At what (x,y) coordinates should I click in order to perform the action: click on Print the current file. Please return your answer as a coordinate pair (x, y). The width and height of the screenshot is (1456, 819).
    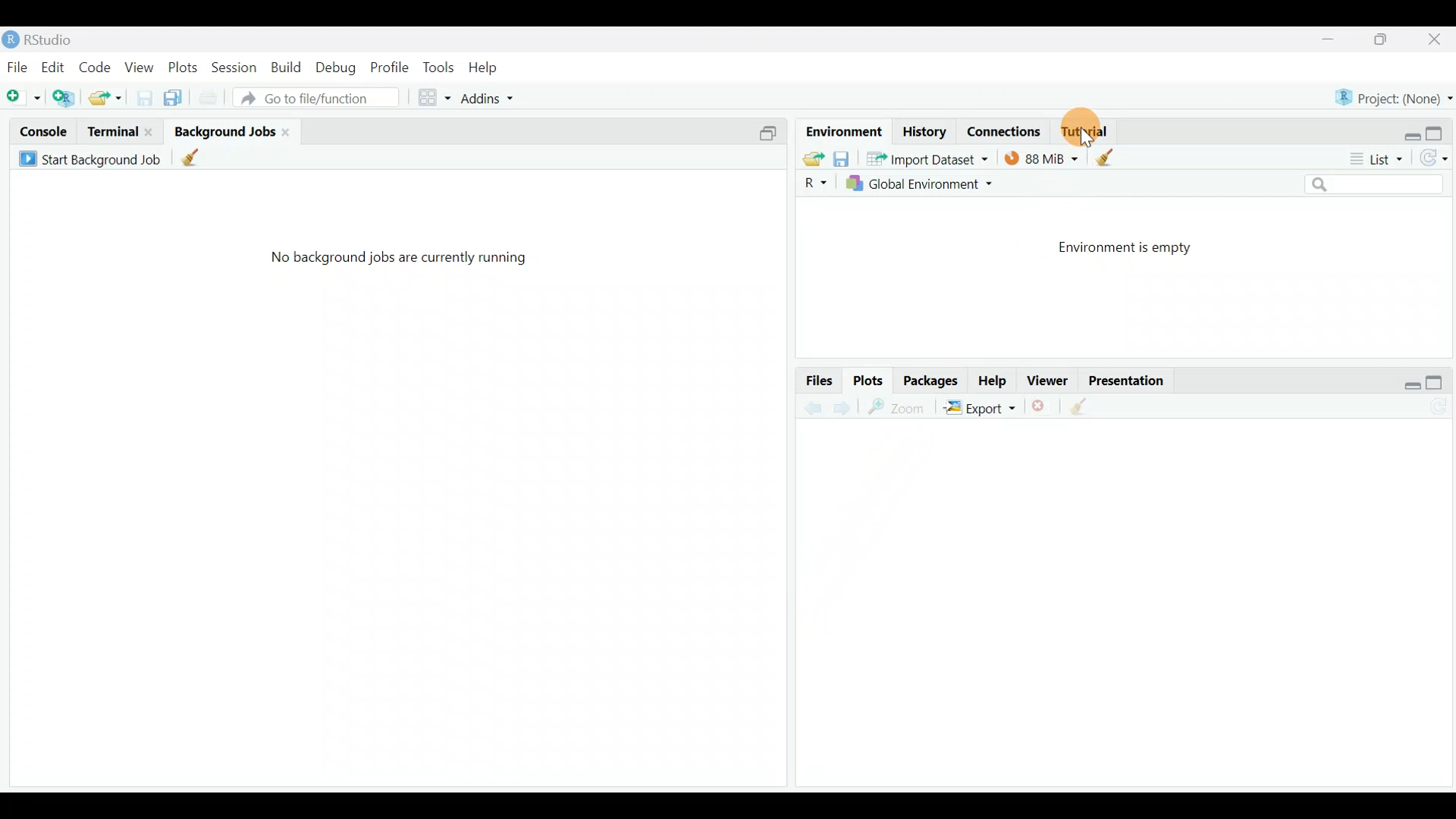
    Looking at the image, I should click on (211, 101).